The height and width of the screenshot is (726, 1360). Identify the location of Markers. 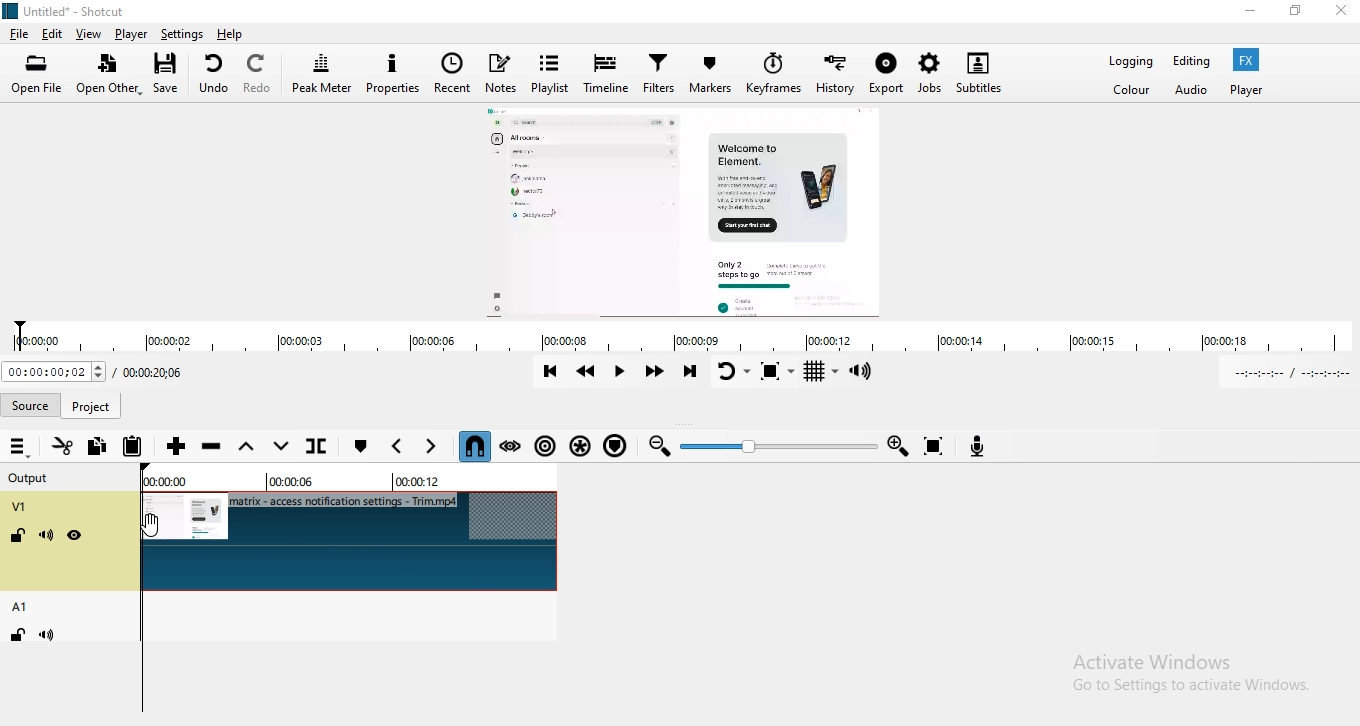
(712, 73).